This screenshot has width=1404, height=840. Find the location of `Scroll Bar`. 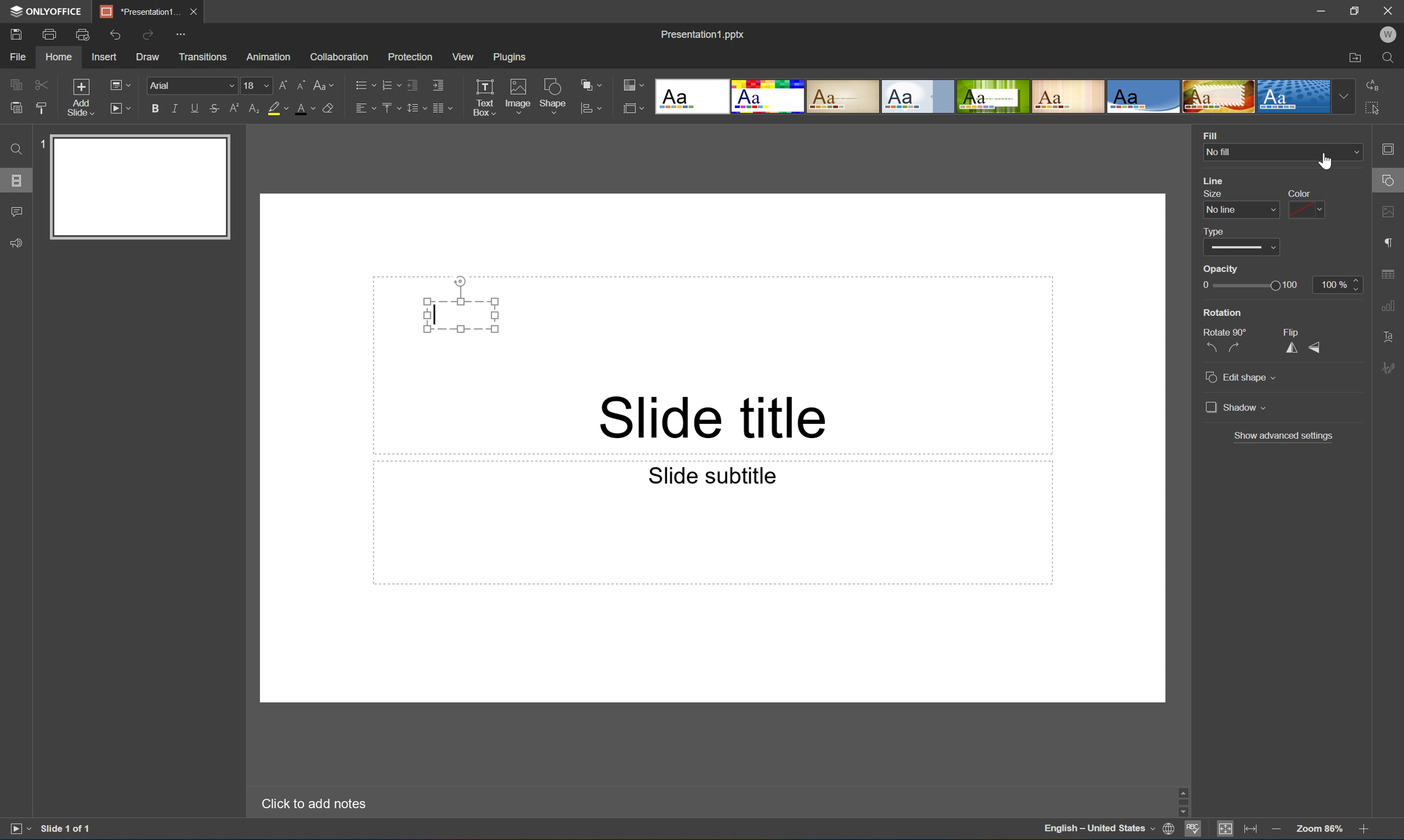

Scroll Bar is located at coordinates (1361, 799).